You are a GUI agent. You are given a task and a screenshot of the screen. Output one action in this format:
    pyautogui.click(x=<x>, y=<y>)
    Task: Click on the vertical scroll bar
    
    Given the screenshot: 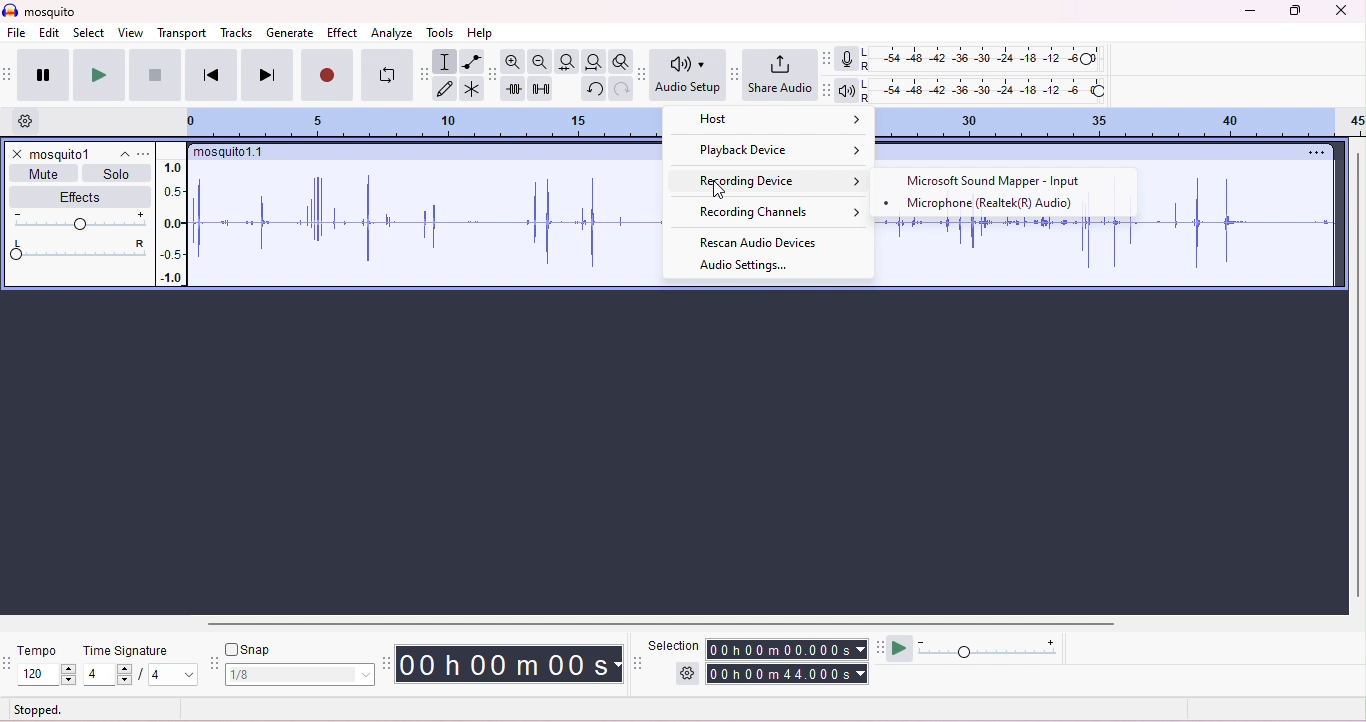 What is the action you would take?
    pyautogui.click(x=1357, y=373)
    